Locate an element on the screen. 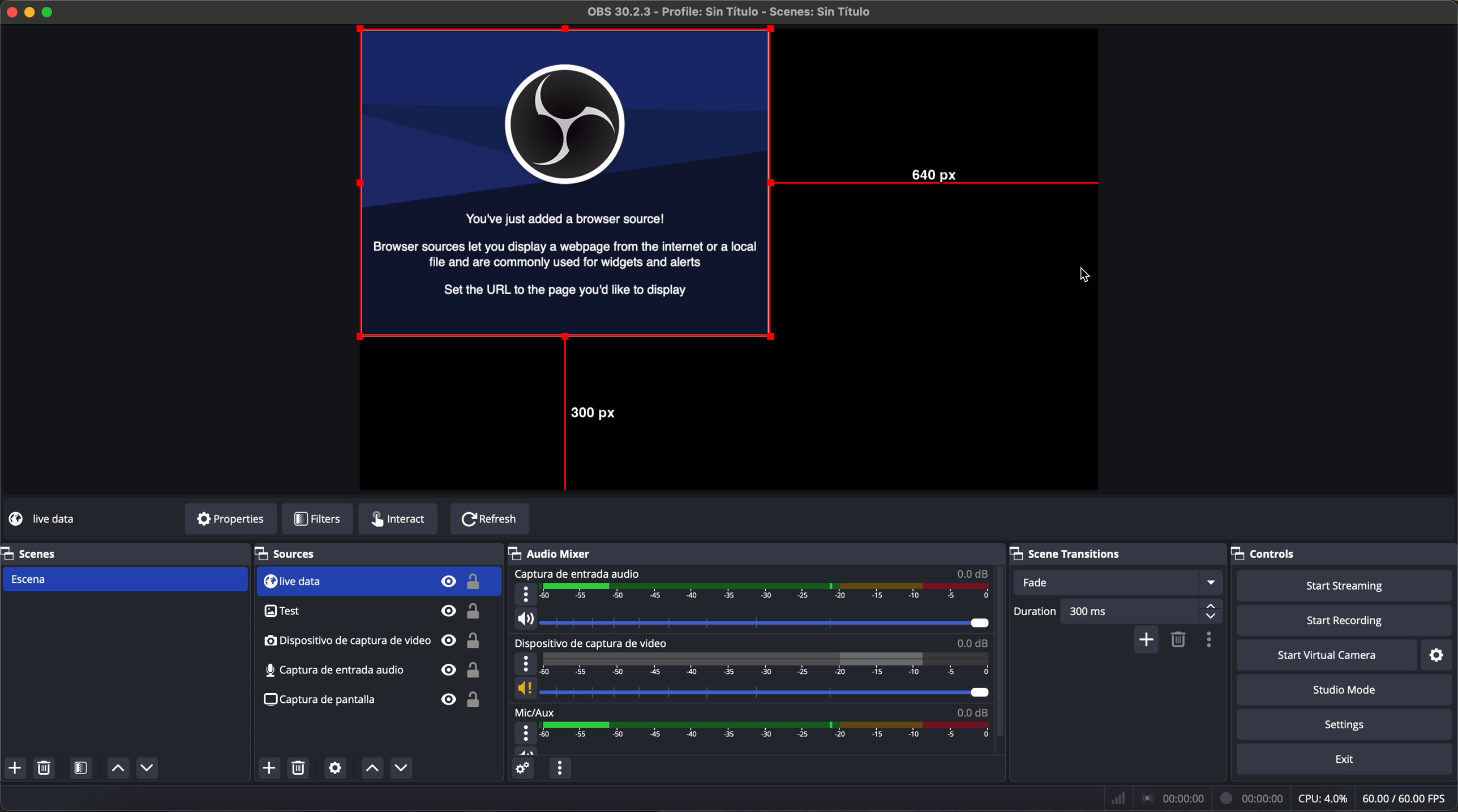 Image resolution: width=1458 pixels, height=812 pixels. audio mixer is located at coordinates (556, 555).